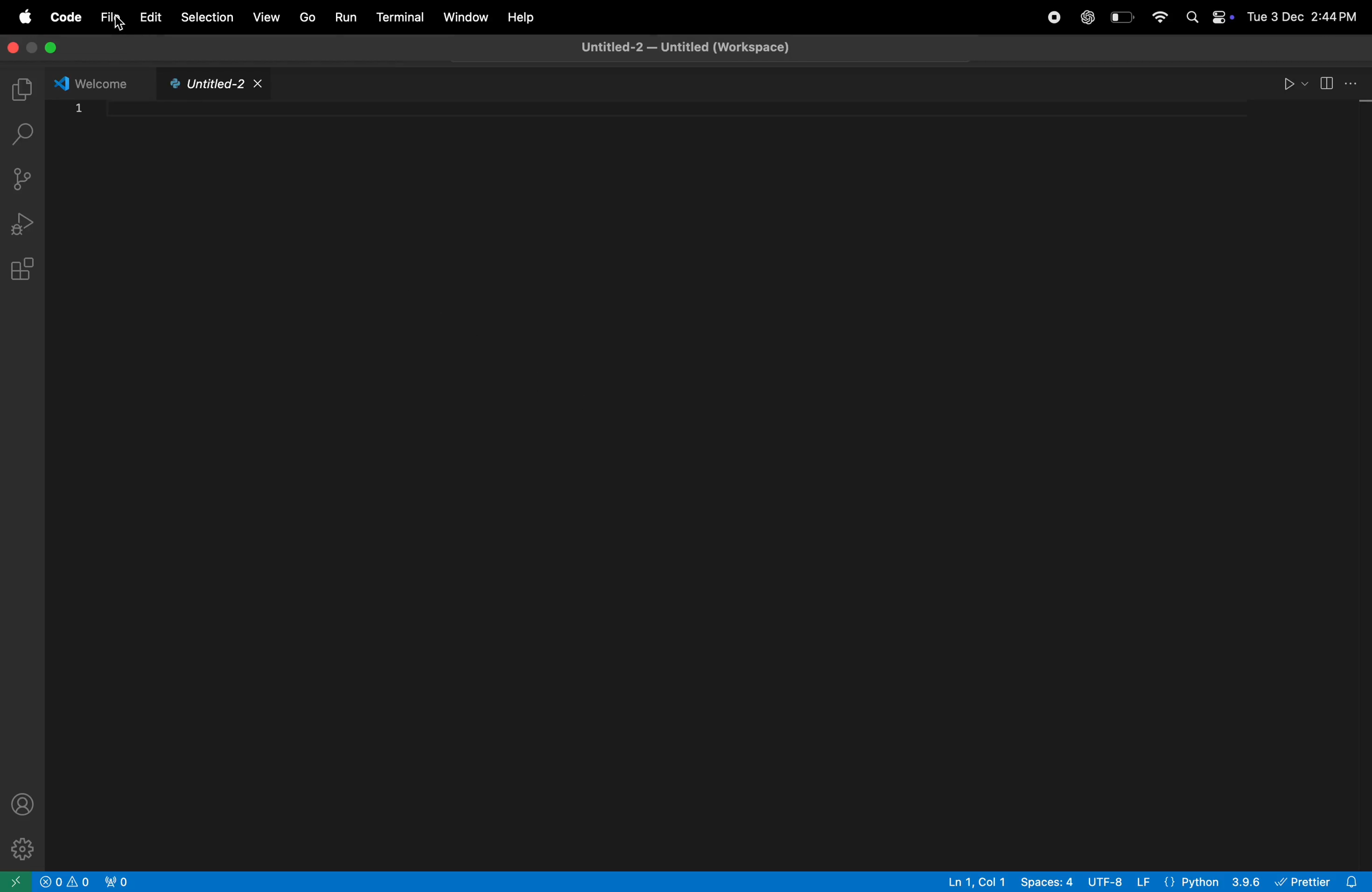  I want to click on 1, so click(80, 107).